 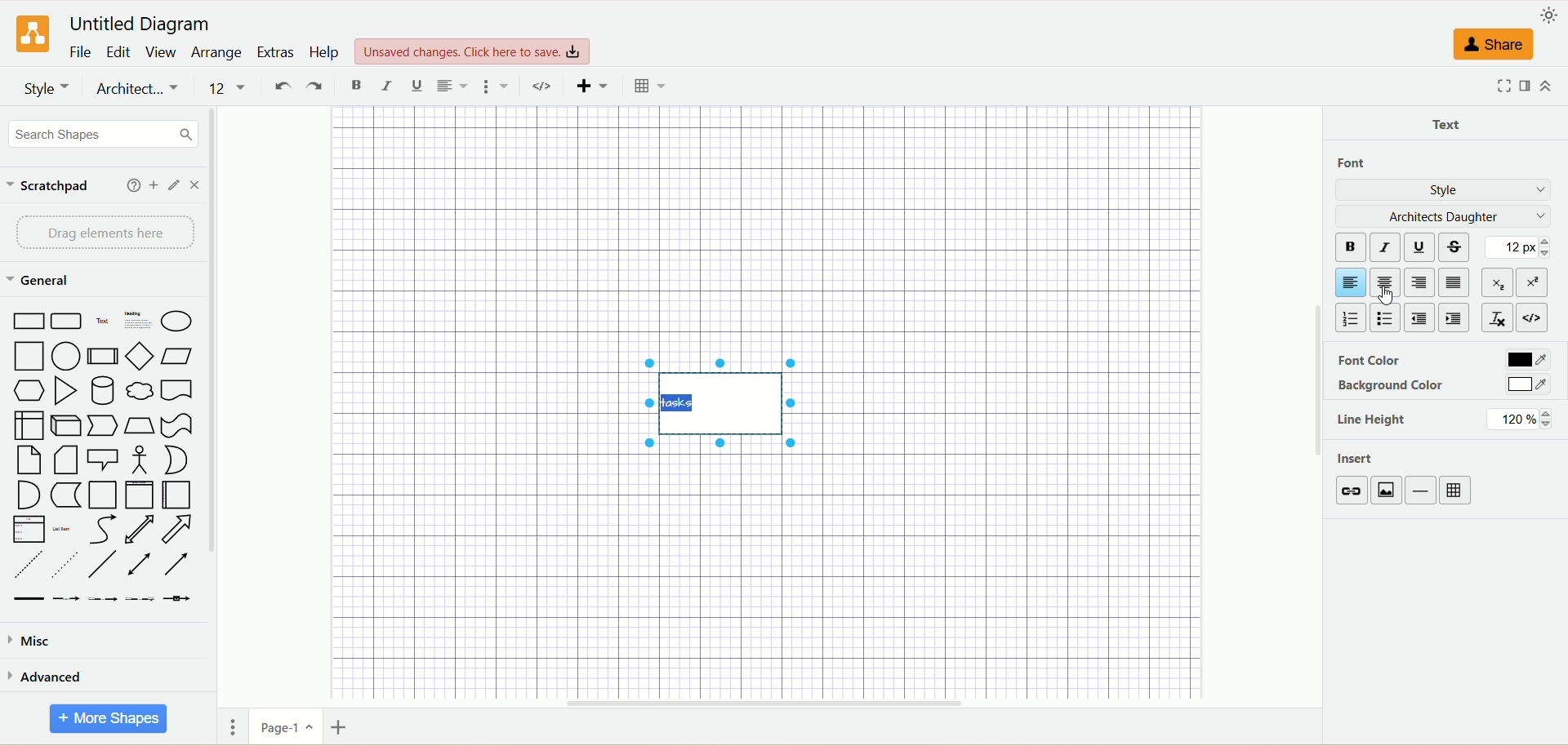 I want to click on Curved Arrow, so click(x=102, y=531).